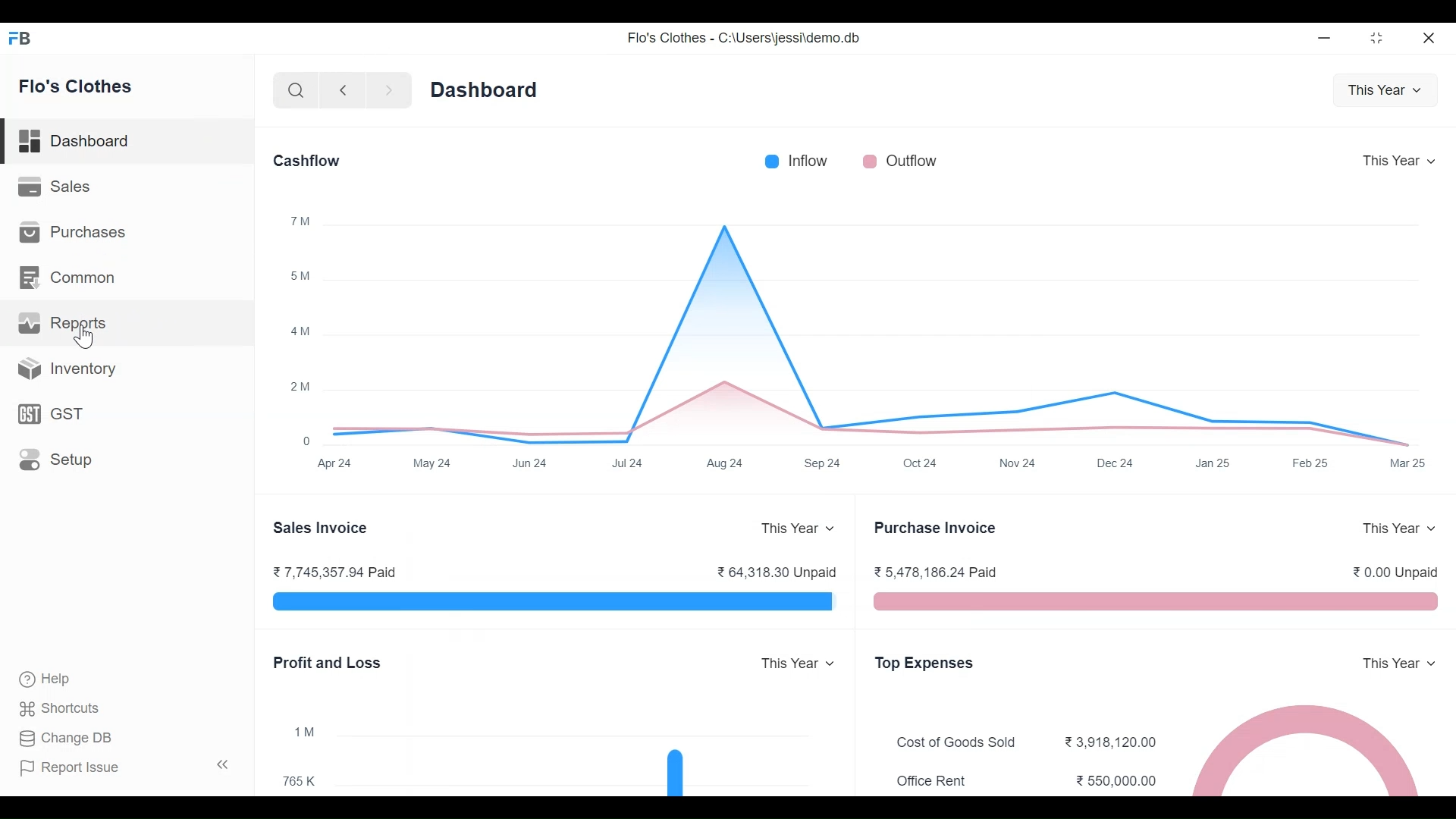 This screenshot has height=819, width=1456. Describe the element at coordinates (73, 231) in the screenshot. I see `Purchases ` at that location.